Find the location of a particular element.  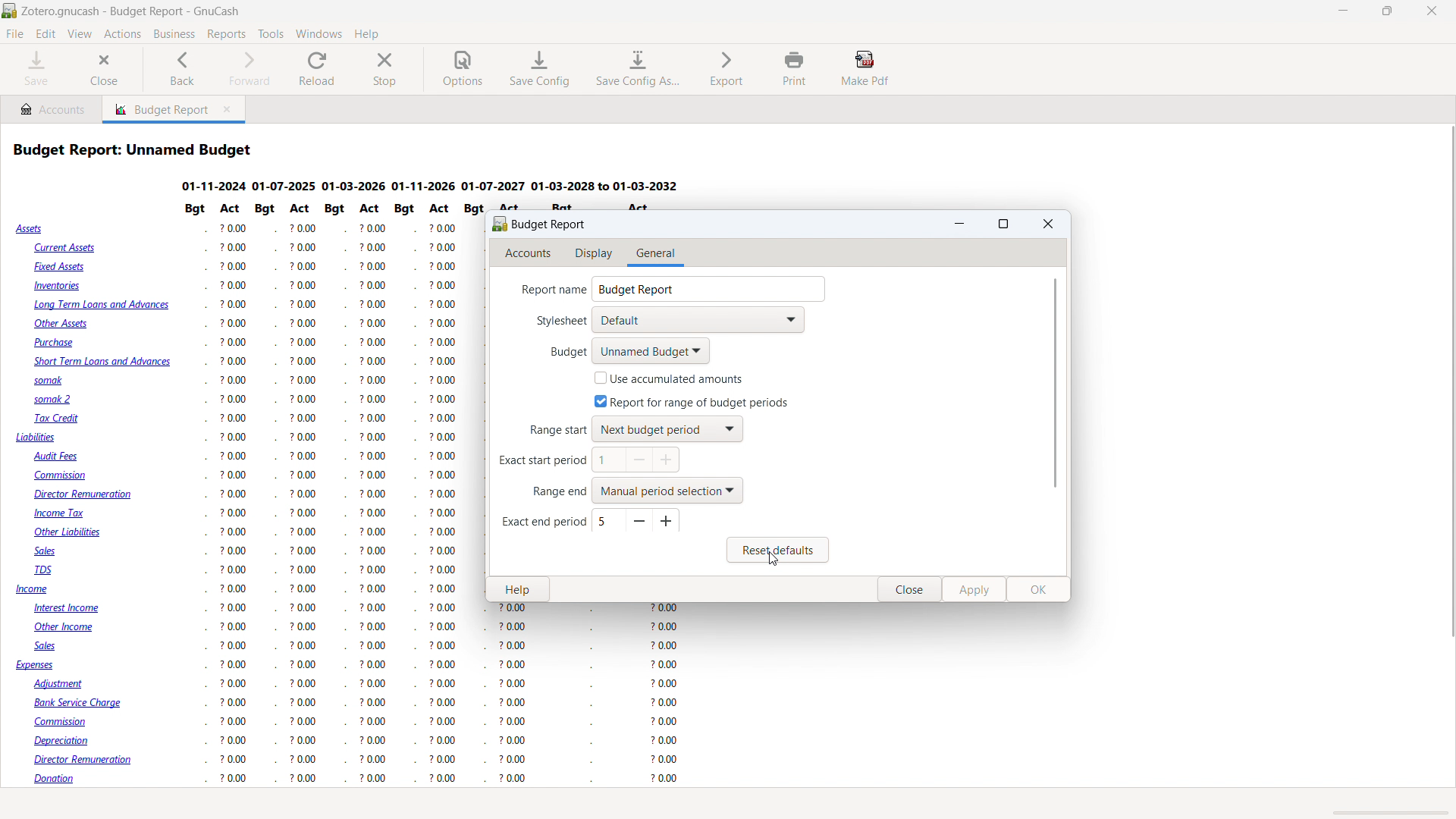

Commission is located at coordinates (71, 723).